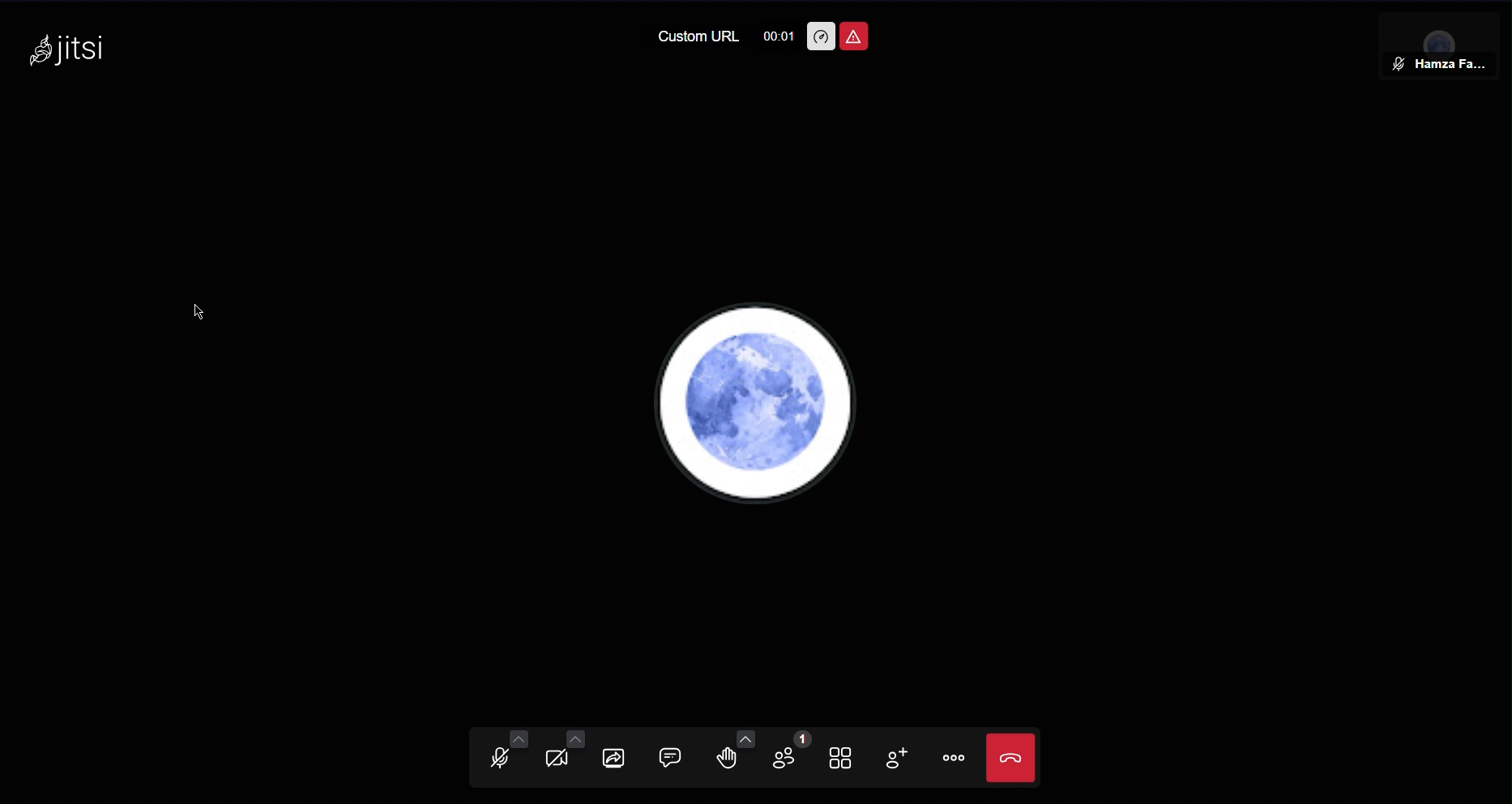 Image resolution: width=1512 pixels, height=804 pixels. What do you see at coordinates (788, 759) in the screenshot?
I see `Participants` at bounding box center [788, 759].